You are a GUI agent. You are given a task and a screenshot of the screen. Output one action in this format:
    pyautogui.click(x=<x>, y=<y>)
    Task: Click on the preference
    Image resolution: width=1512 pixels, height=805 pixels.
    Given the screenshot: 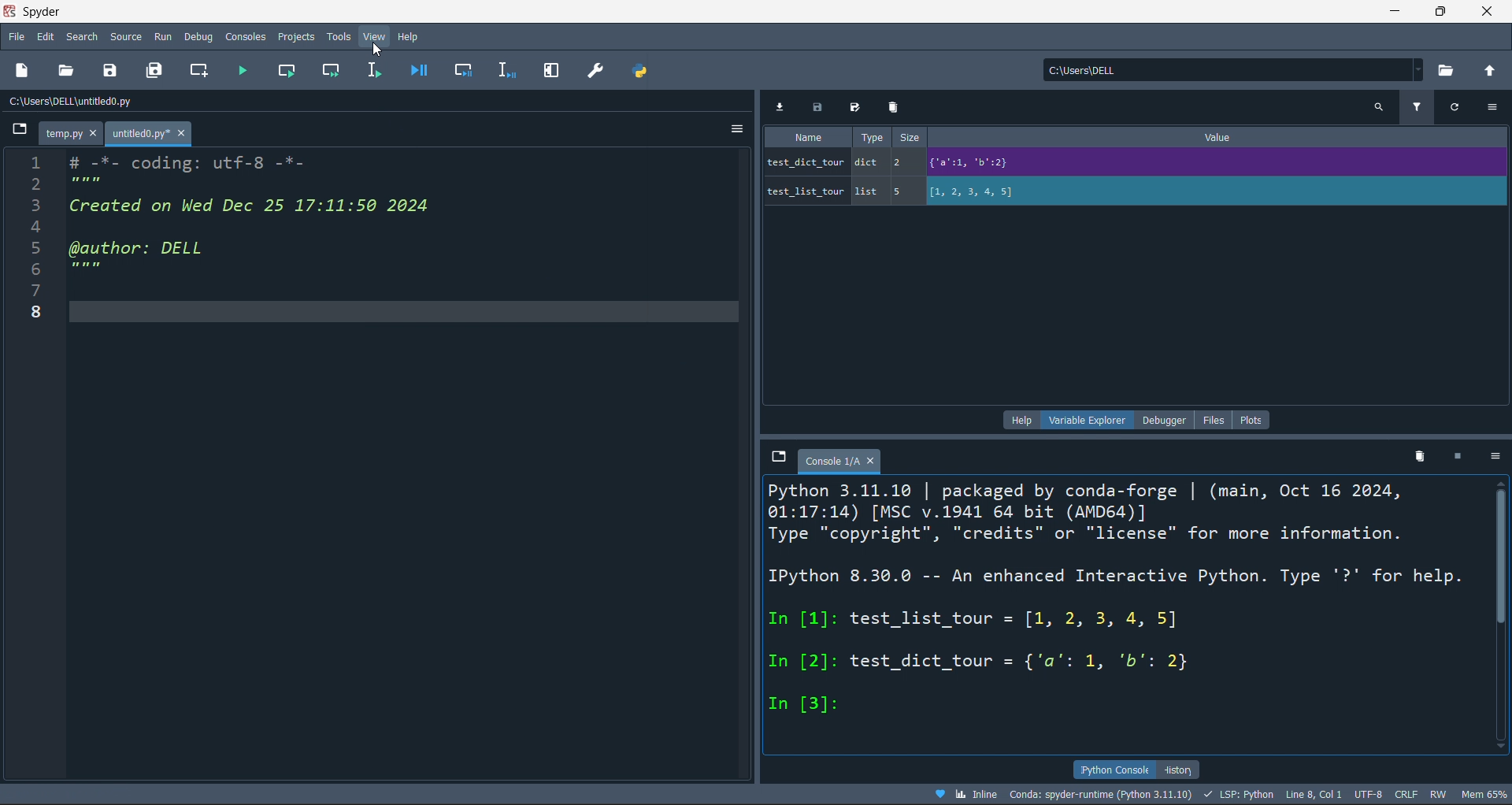 What is the action you would take?
    pyautogui.click(x=594, y=72)
    